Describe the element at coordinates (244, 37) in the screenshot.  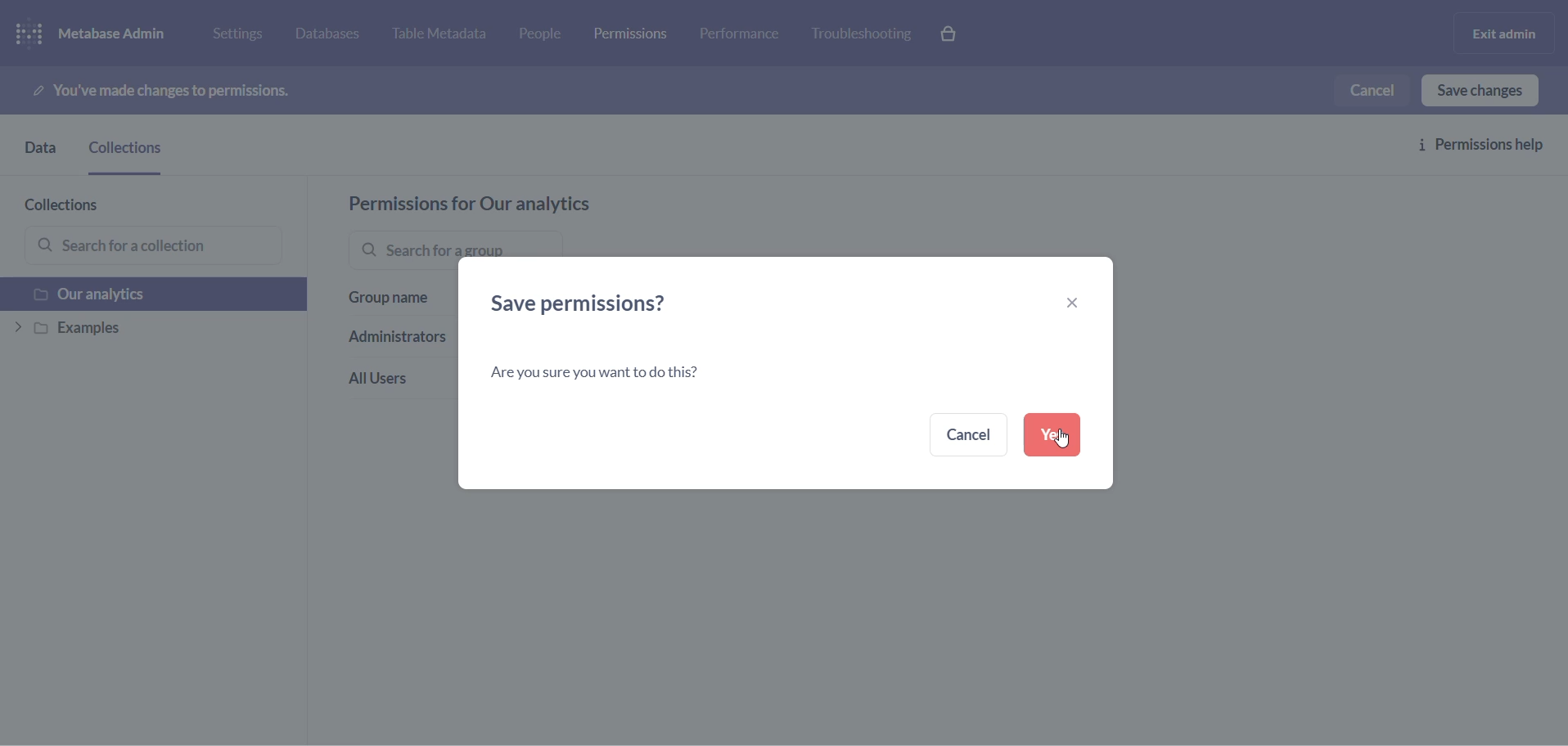
I see `settings` at that location.